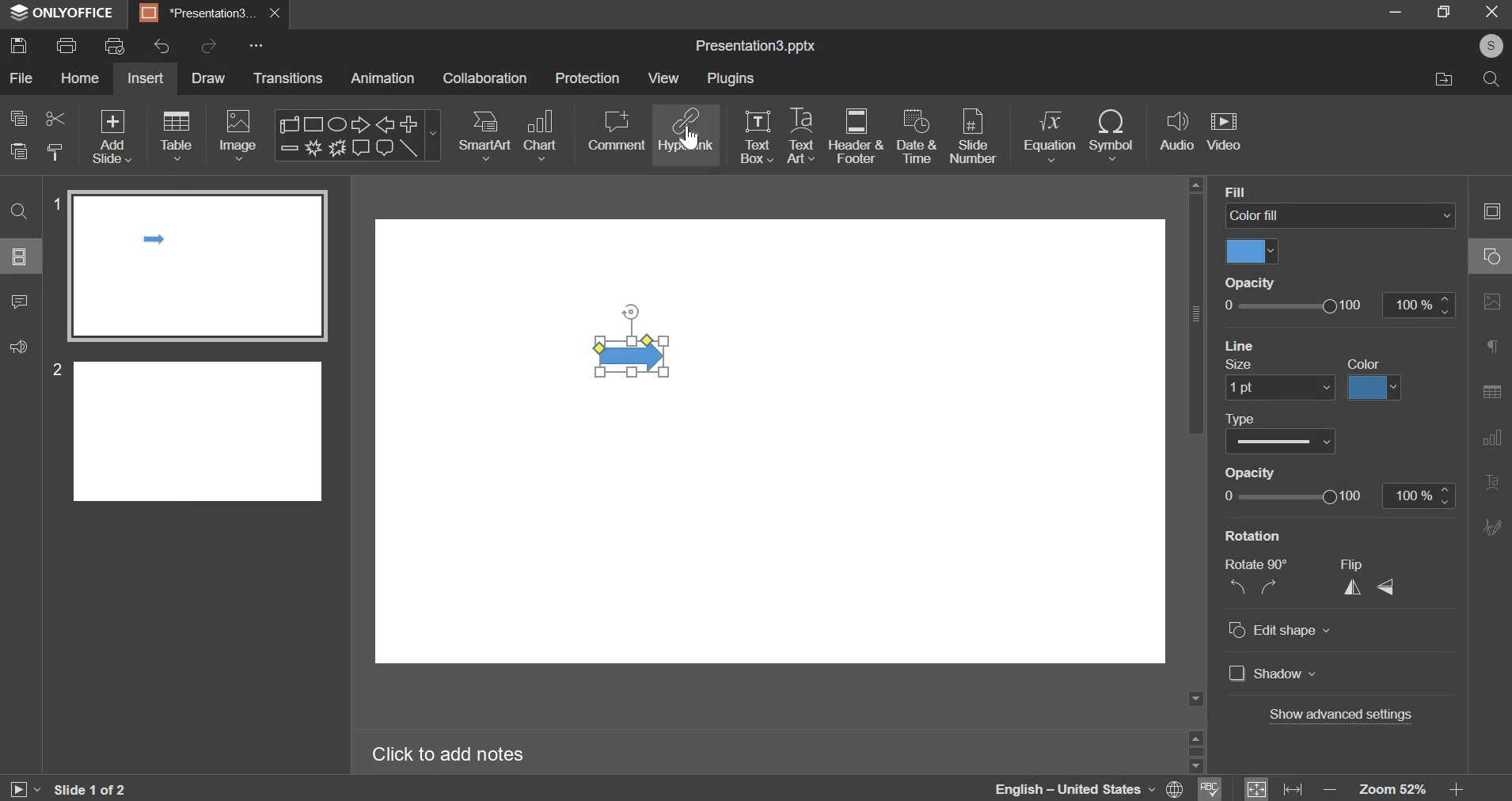  I want to click on chart, so click(542, 135).